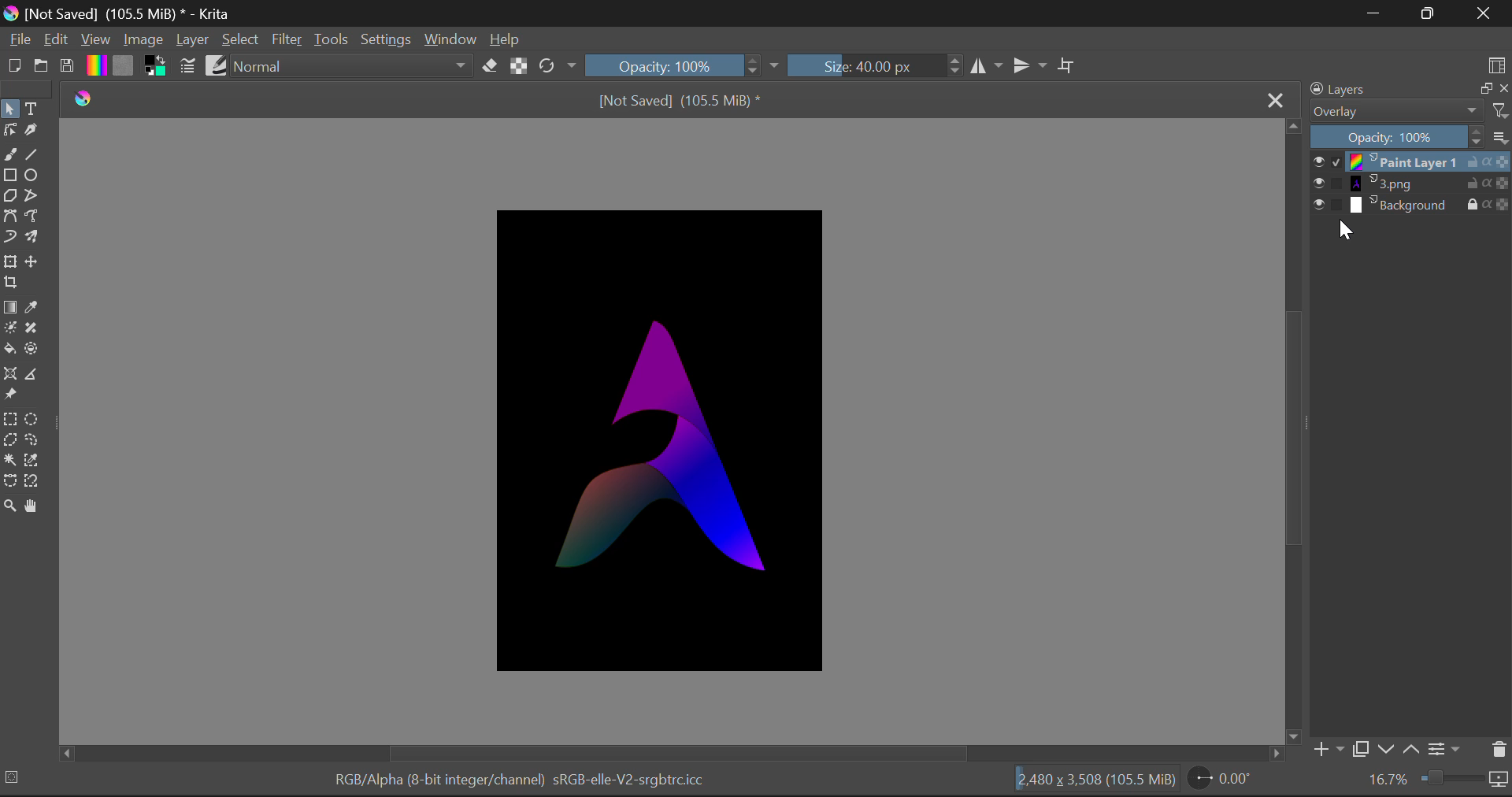  What do you see at coordinates (10, 440) in the screenshot?
I see `Polygon Selection` at bounding box center [10, 440].